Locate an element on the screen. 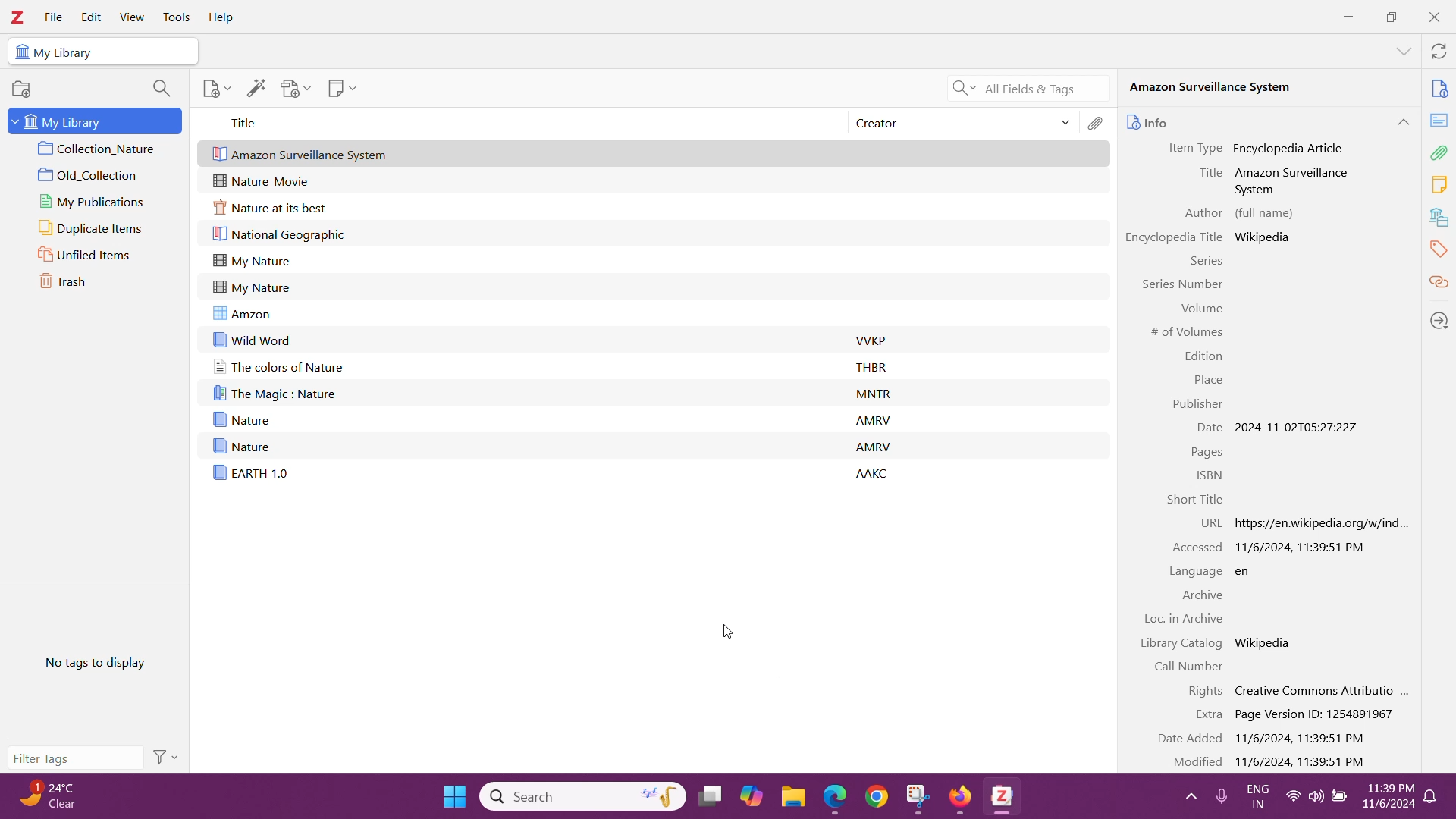  Filter Tags is located at coordinates (74, 756).